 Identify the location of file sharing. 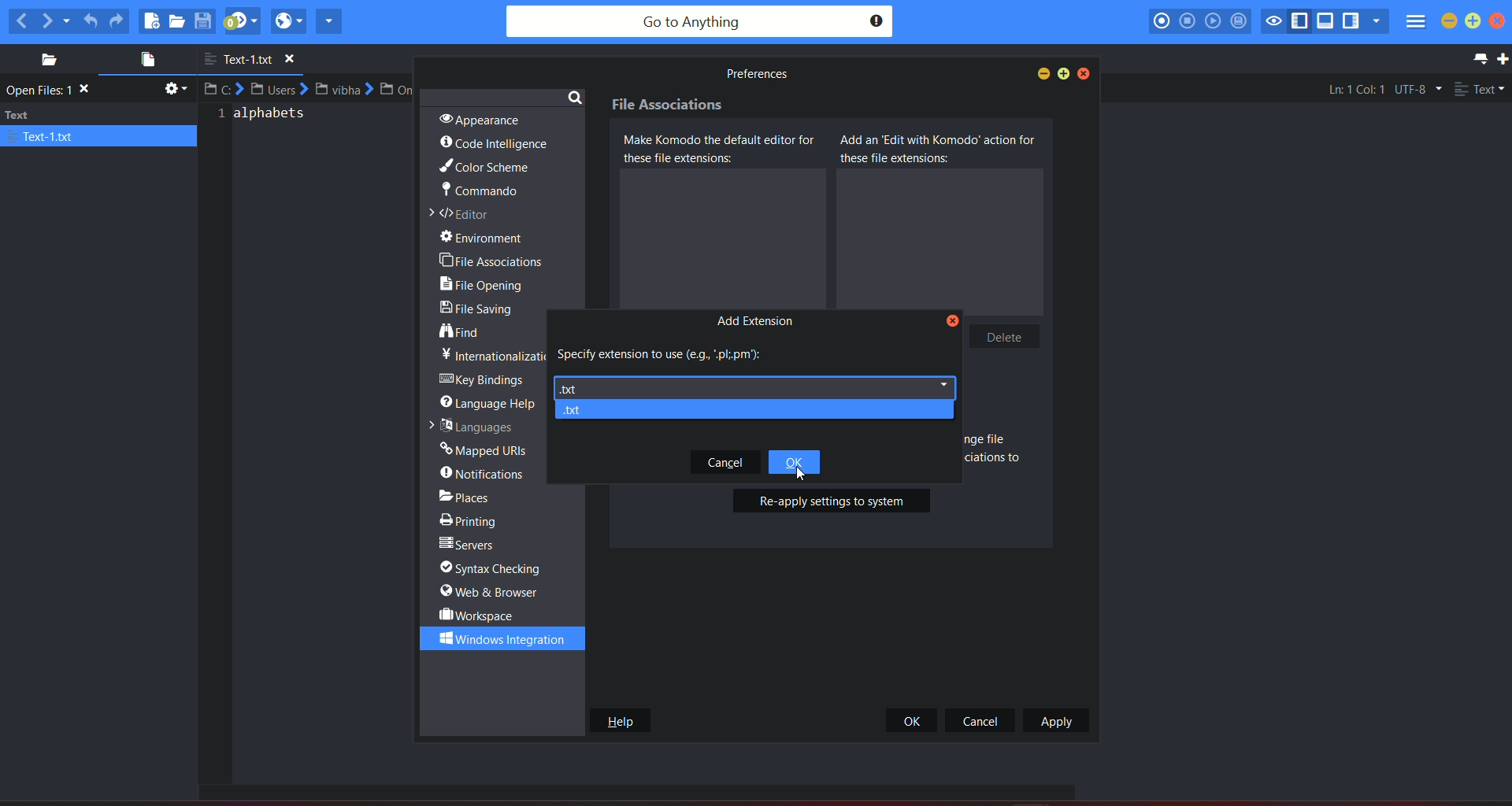
(482, 311).